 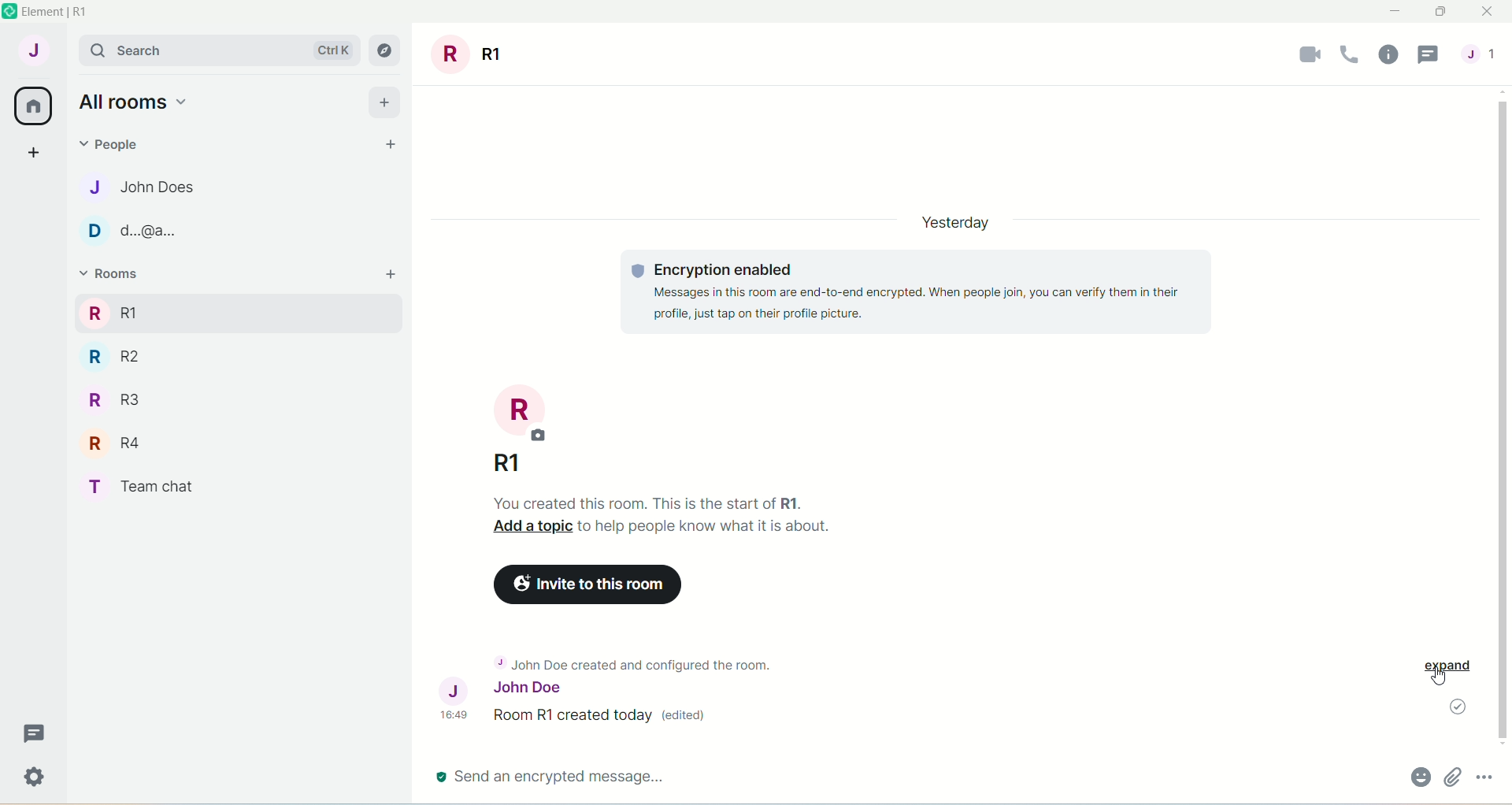 I want to click on people, so click(x=1483, y=54).